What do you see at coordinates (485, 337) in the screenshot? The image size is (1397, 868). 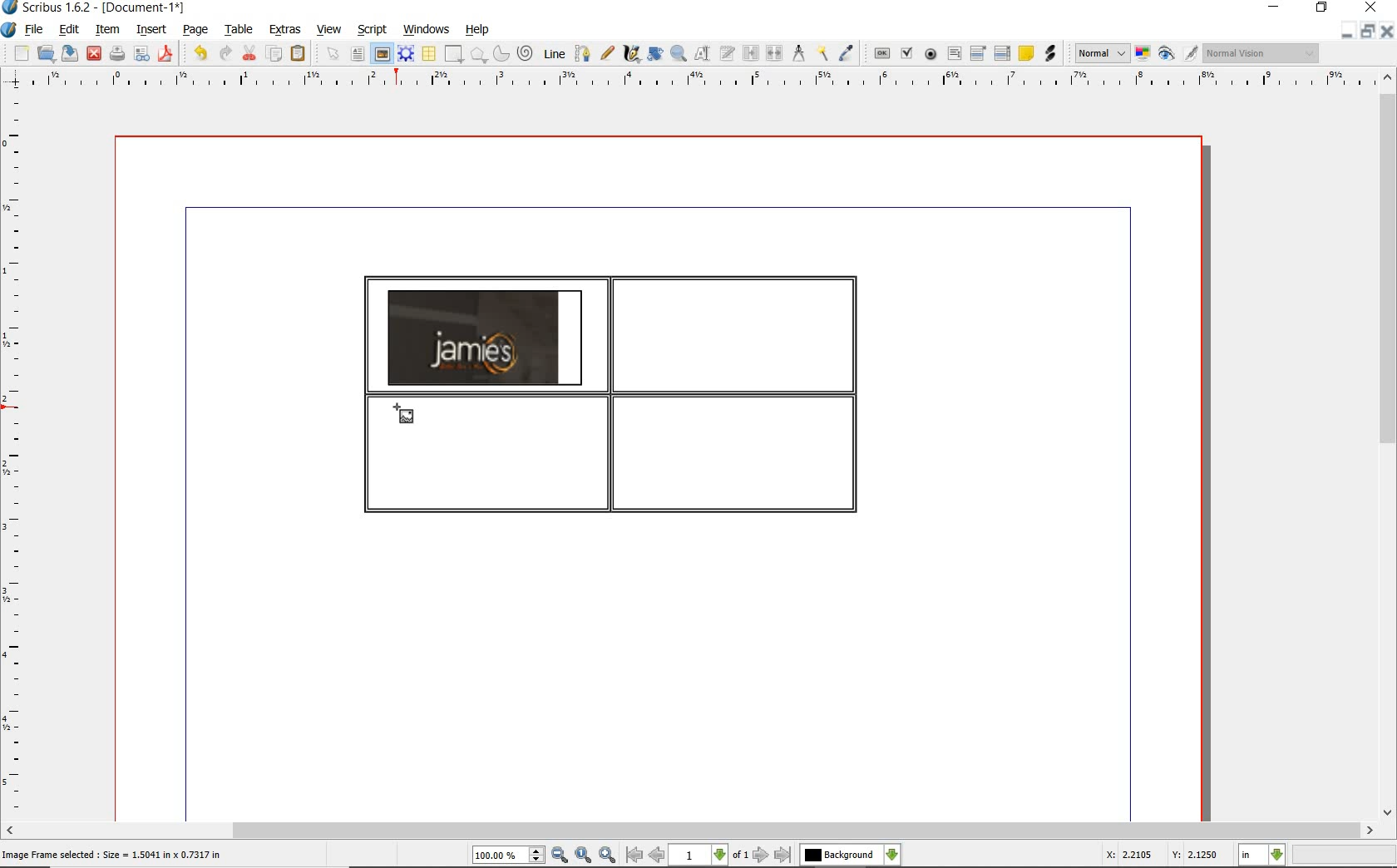 I see `image added` at bounding box center [485, 337].